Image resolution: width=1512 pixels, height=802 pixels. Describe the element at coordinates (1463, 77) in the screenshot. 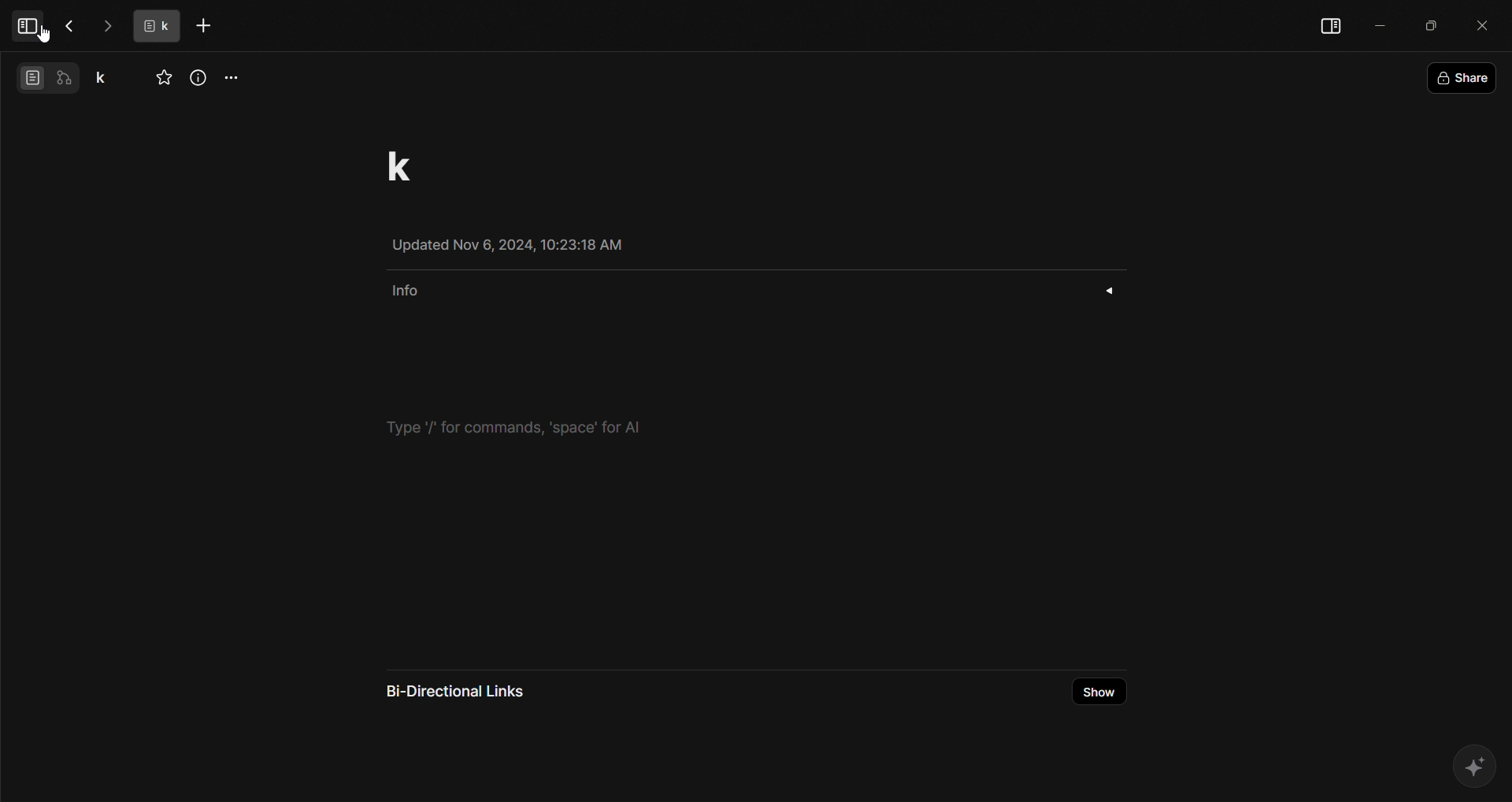

I see `share` at that location.